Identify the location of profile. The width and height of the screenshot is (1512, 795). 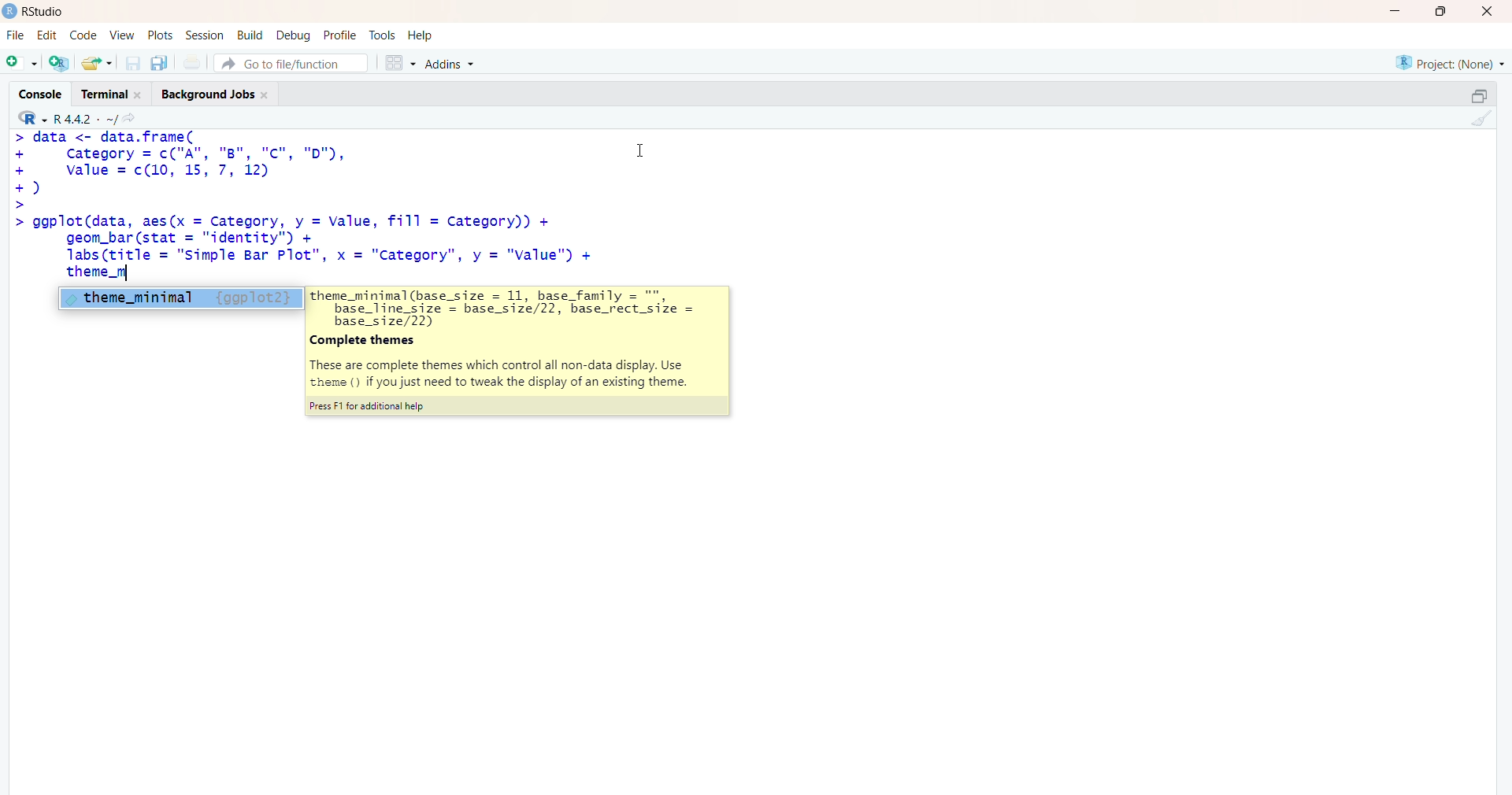
(339, 36).